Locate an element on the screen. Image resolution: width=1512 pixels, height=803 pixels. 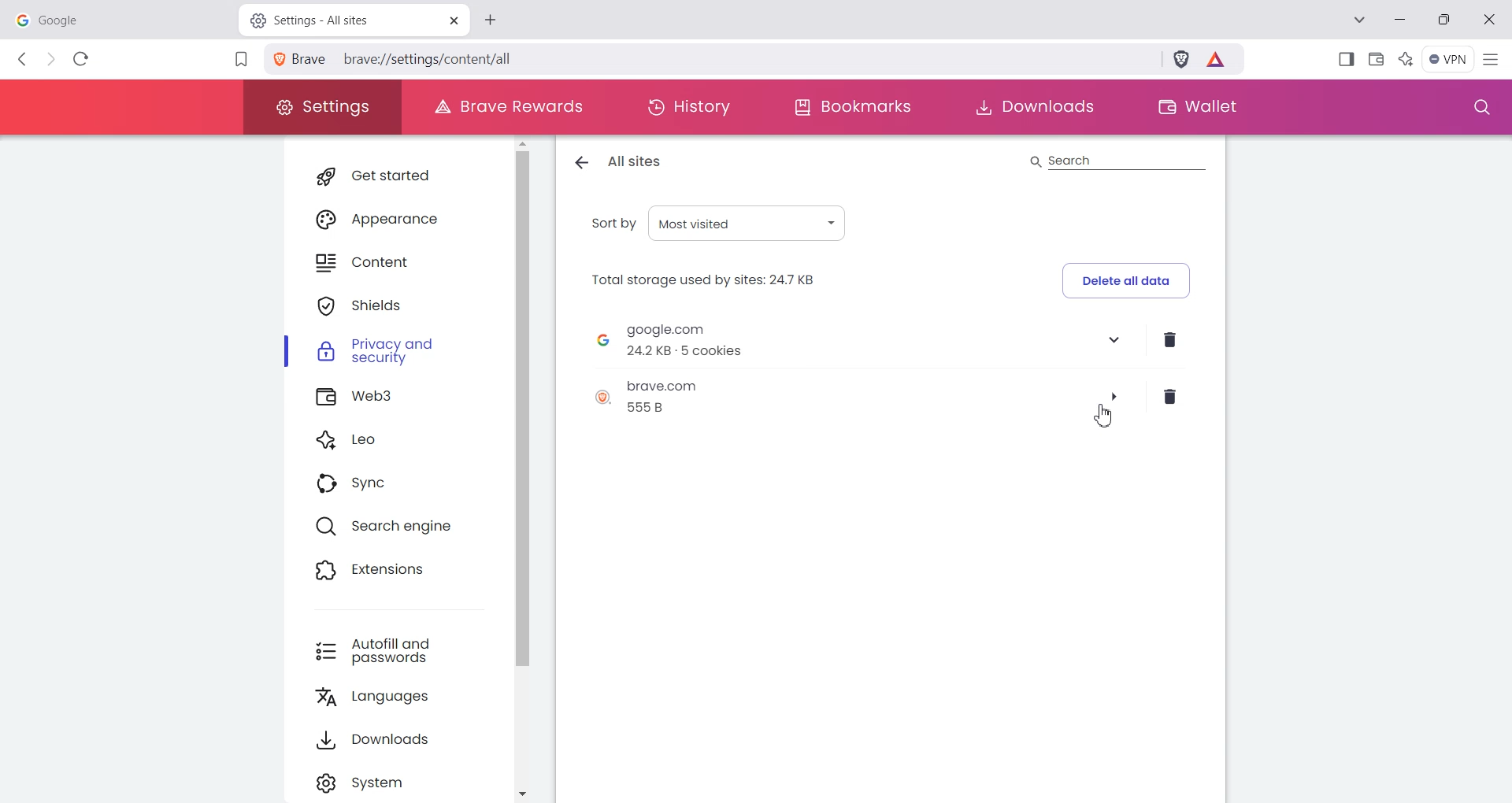
Vertical scroll bar is located at coordinates (524, 469).